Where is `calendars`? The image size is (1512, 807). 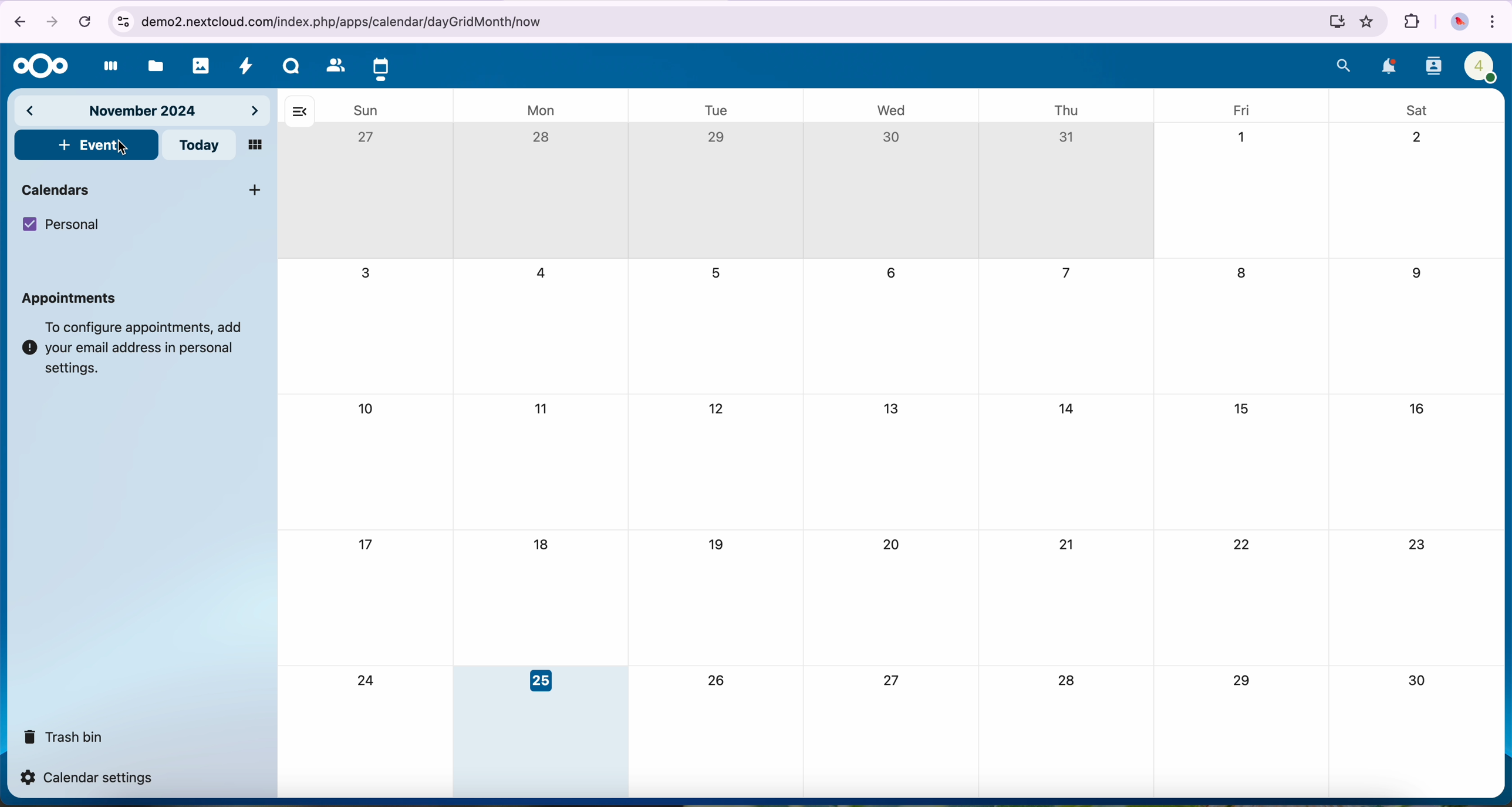
calendars is located at coordinates (144, 189).